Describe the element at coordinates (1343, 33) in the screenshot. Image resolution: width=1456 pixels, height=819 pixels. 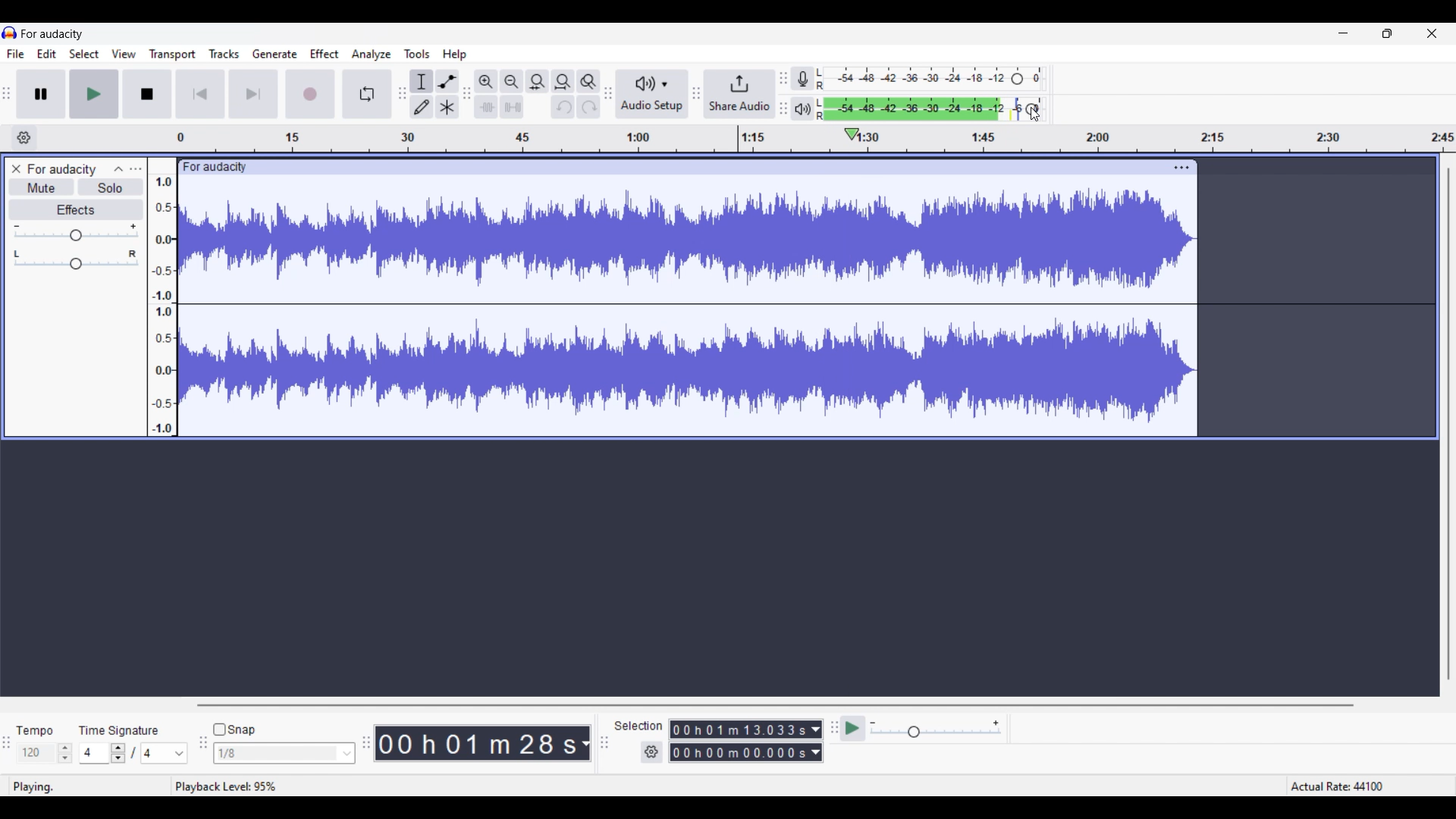
I see `Minimize` at that location.